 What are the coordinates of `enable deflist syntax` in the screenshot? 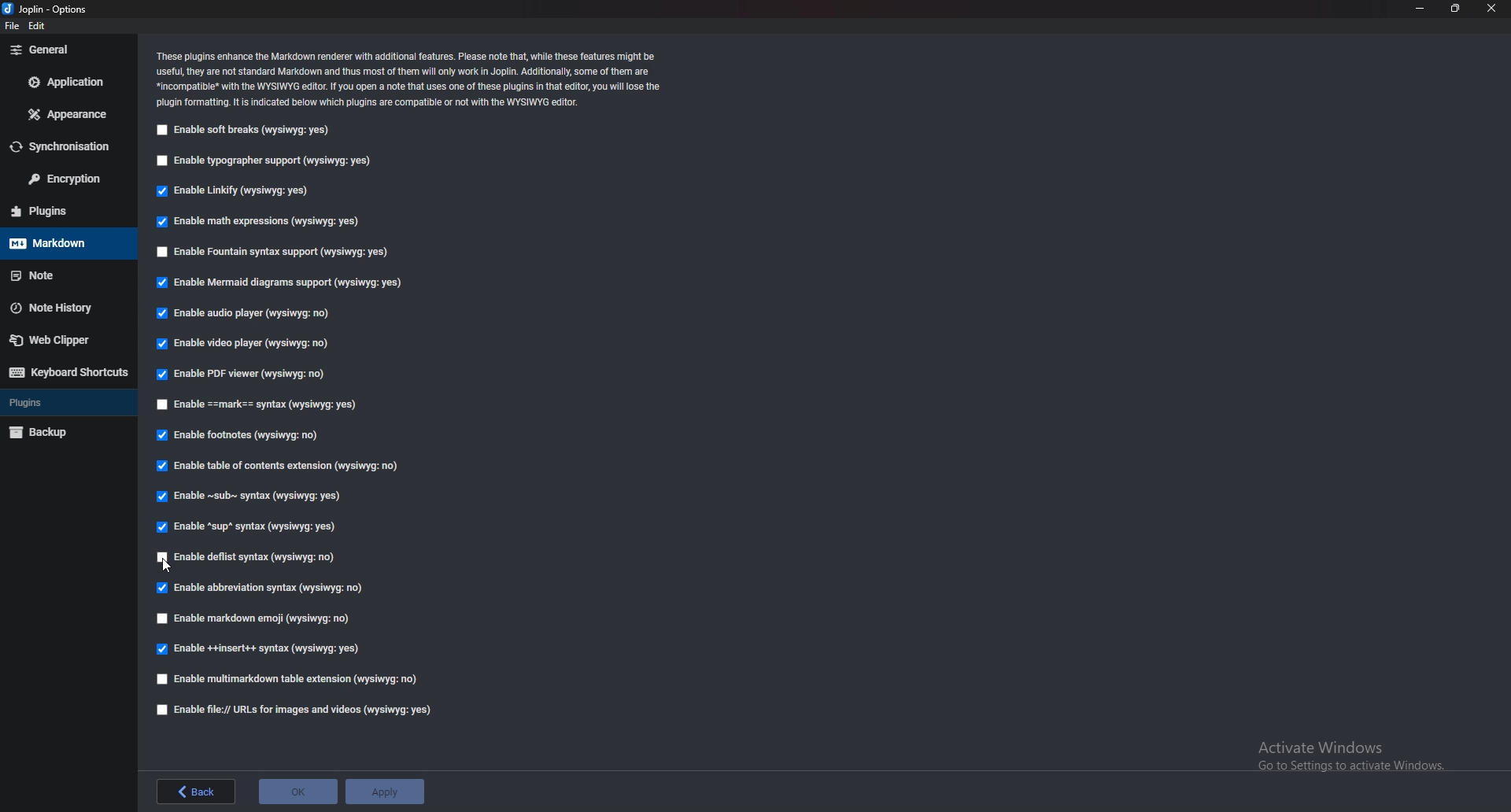 It's located at (244, 557).